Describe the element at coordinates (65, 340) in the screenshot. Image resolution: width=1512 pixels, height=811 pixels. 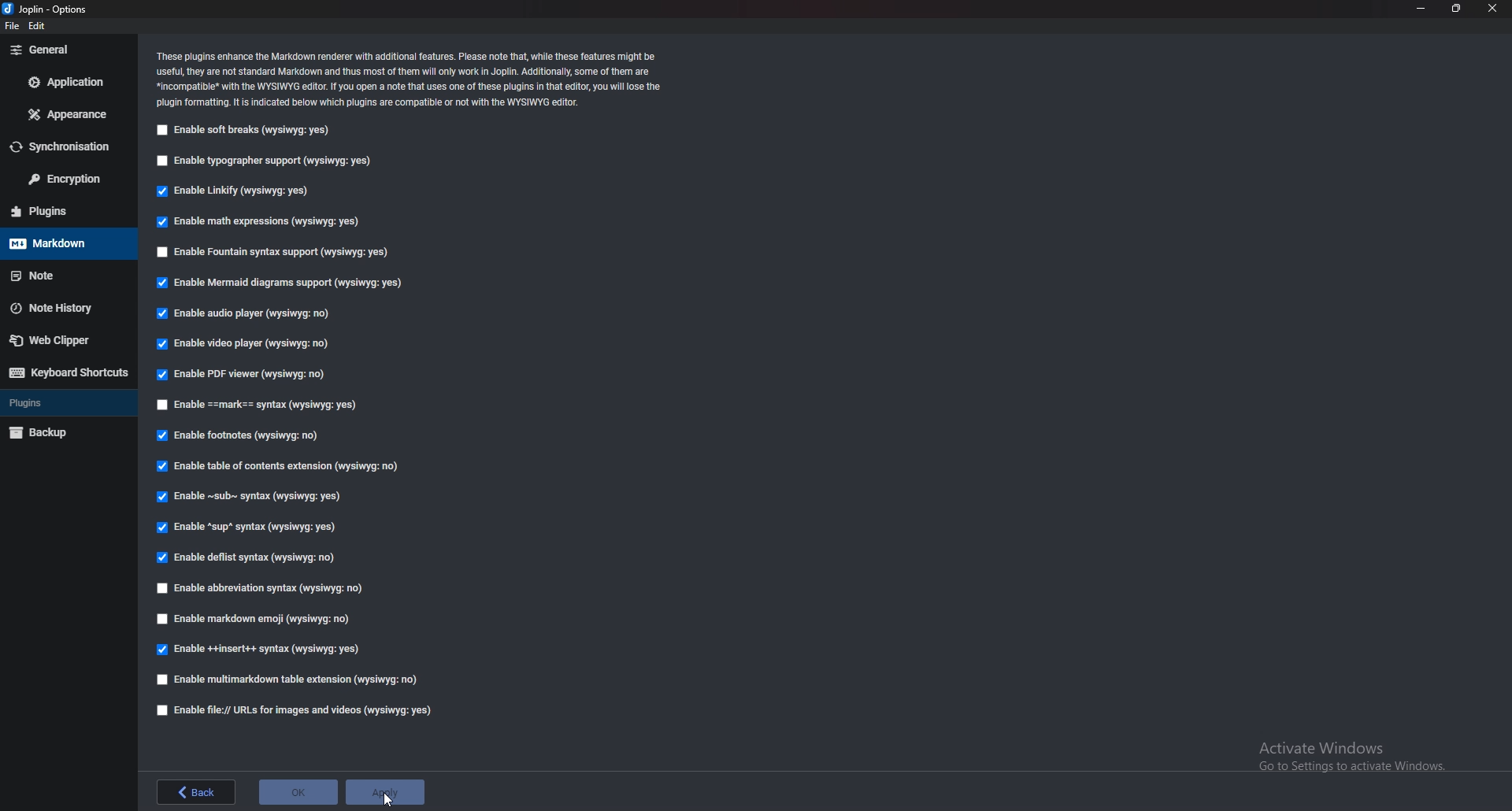
I see `Web Clipper` at that location.